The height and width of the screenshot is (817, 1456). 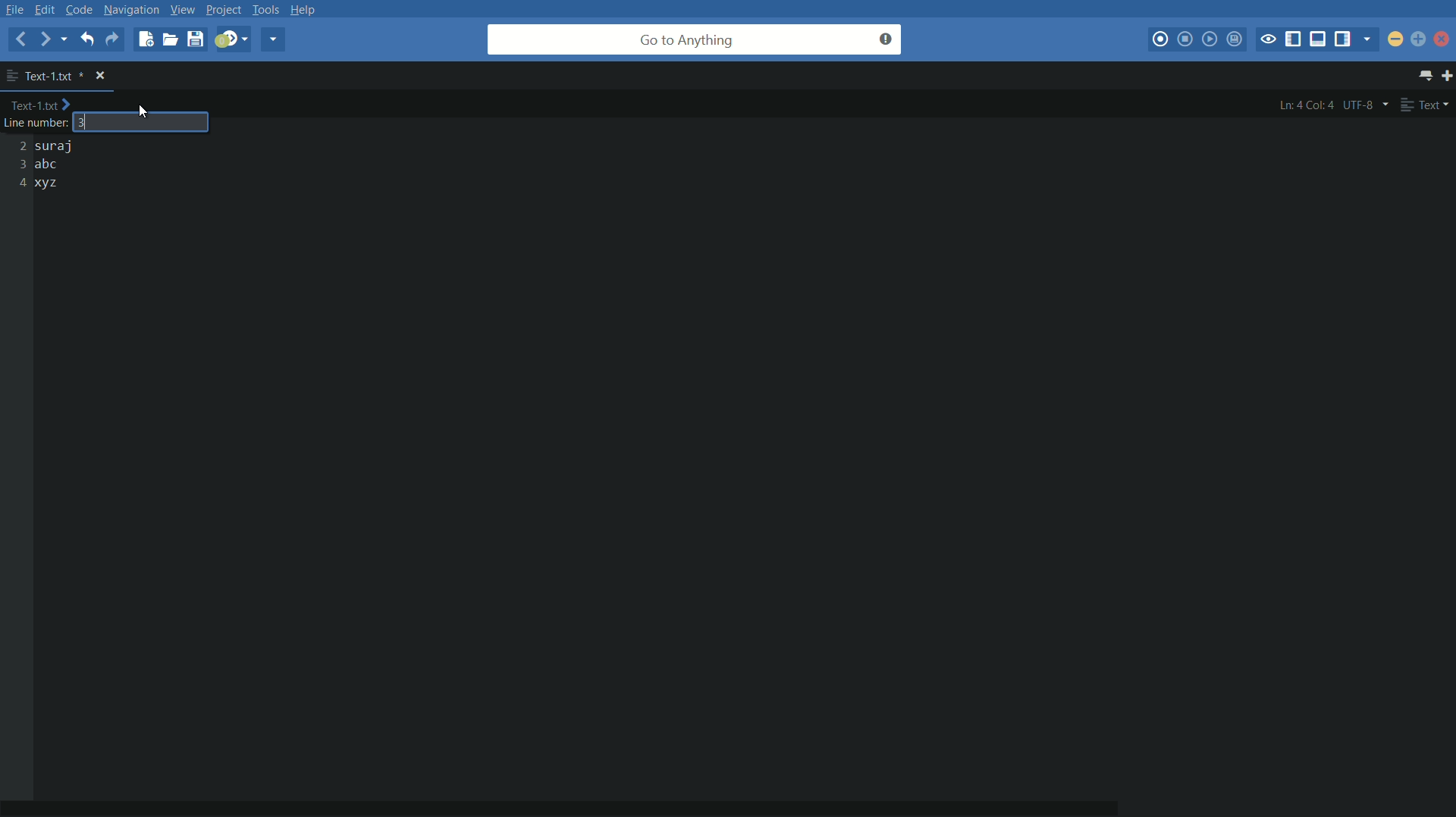 What do you see at coordinates (1319, 39) in the screenshot?
I see `show/hide bottom panel` at bounding box center [1319, 39].